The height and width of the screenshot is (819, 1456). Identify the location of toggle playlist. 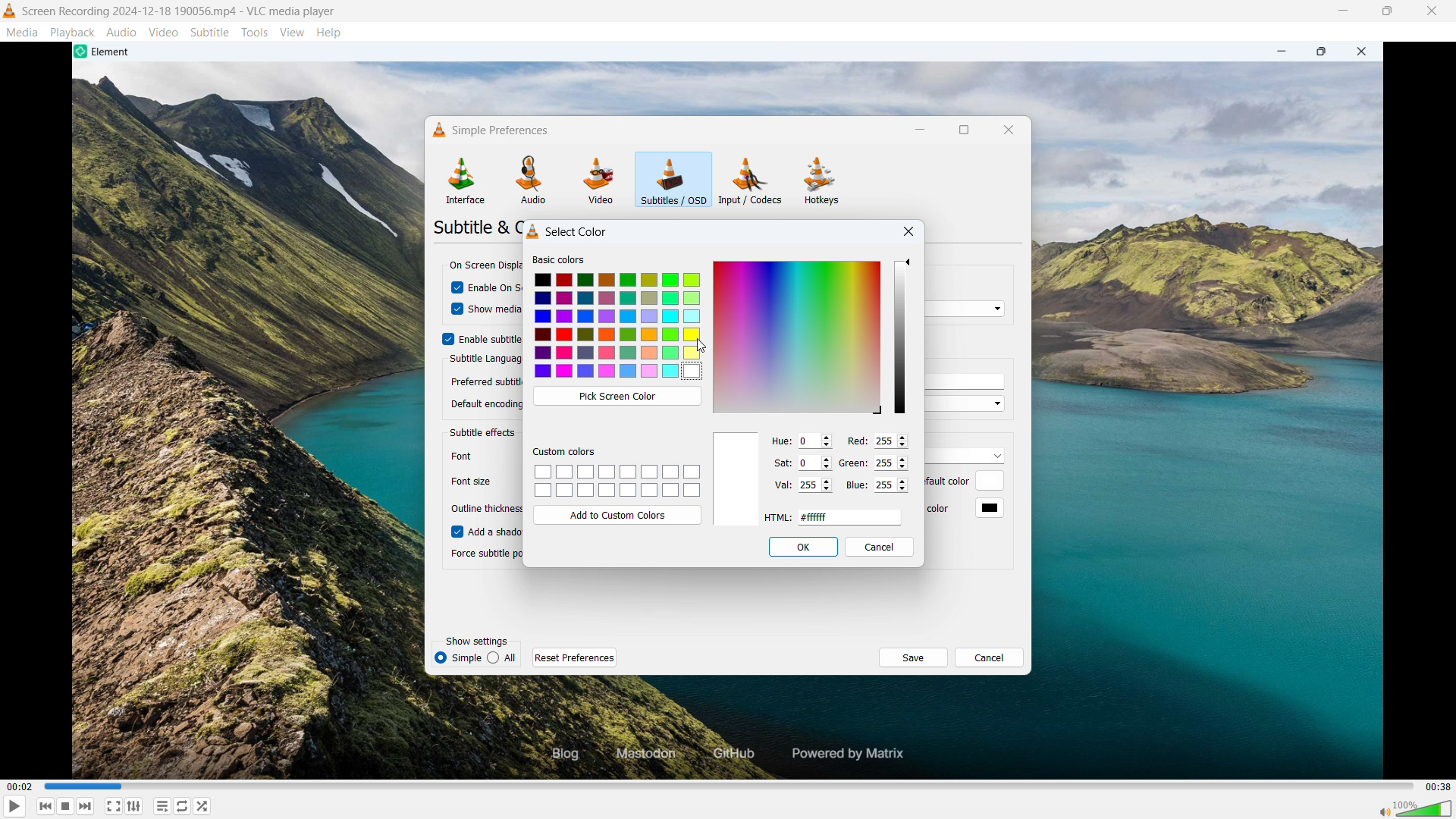
(162, 806).